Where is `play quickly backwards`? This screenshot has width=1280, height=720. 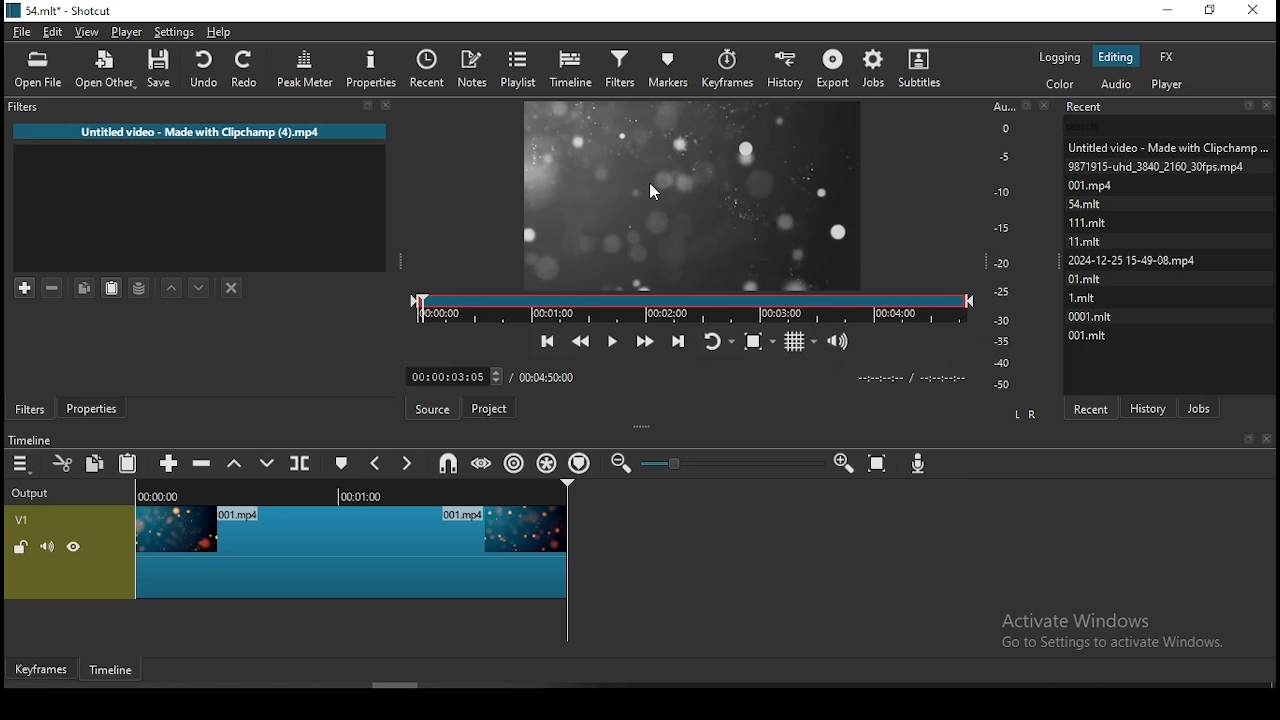 play quickly backwards is located at coordinates (583, 339).